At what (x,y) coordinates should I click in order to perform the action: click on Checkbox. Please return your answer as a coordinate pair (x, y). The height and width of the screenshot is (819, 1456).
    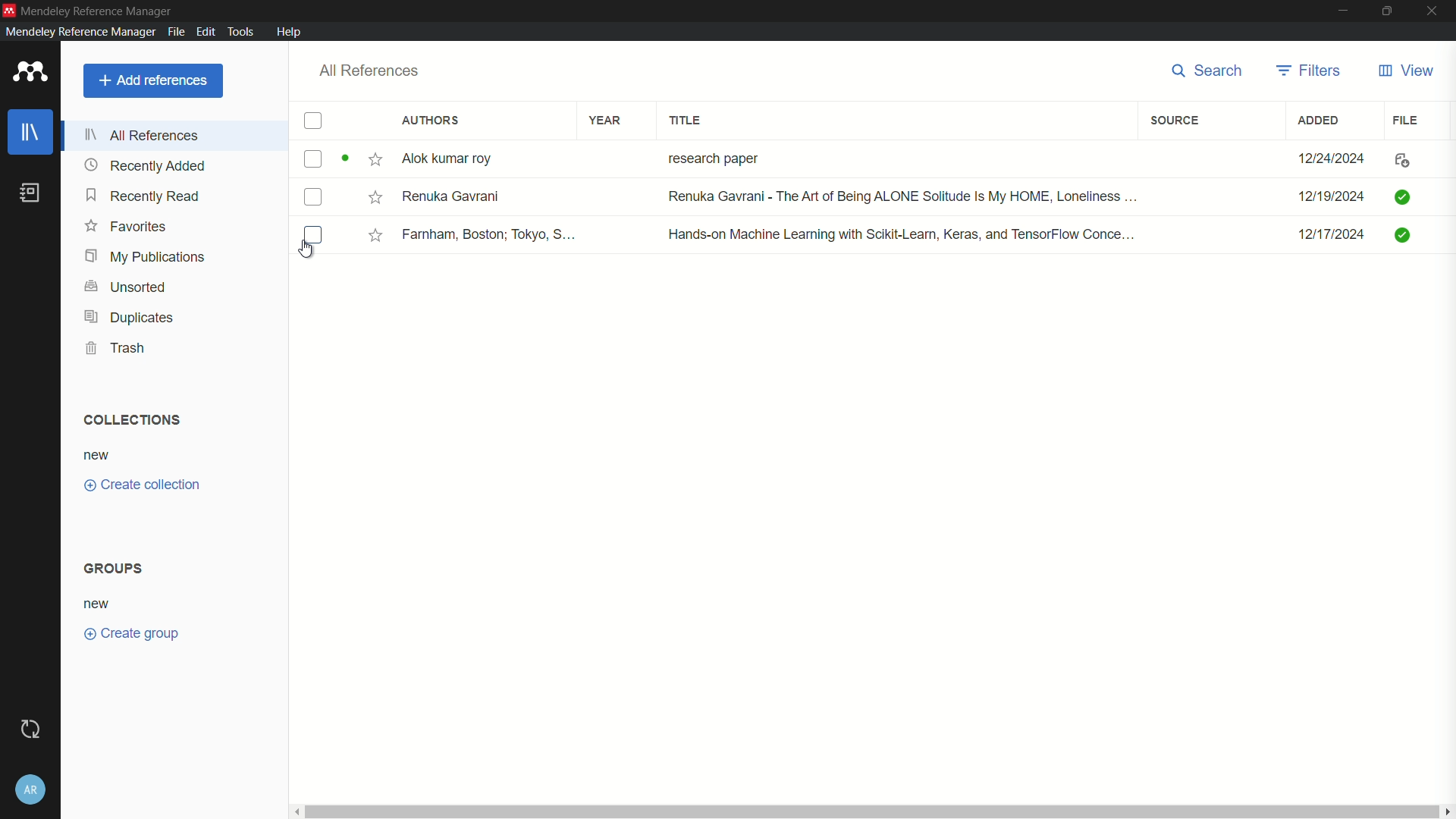
    Looking at the image, I should click on (327, 158).